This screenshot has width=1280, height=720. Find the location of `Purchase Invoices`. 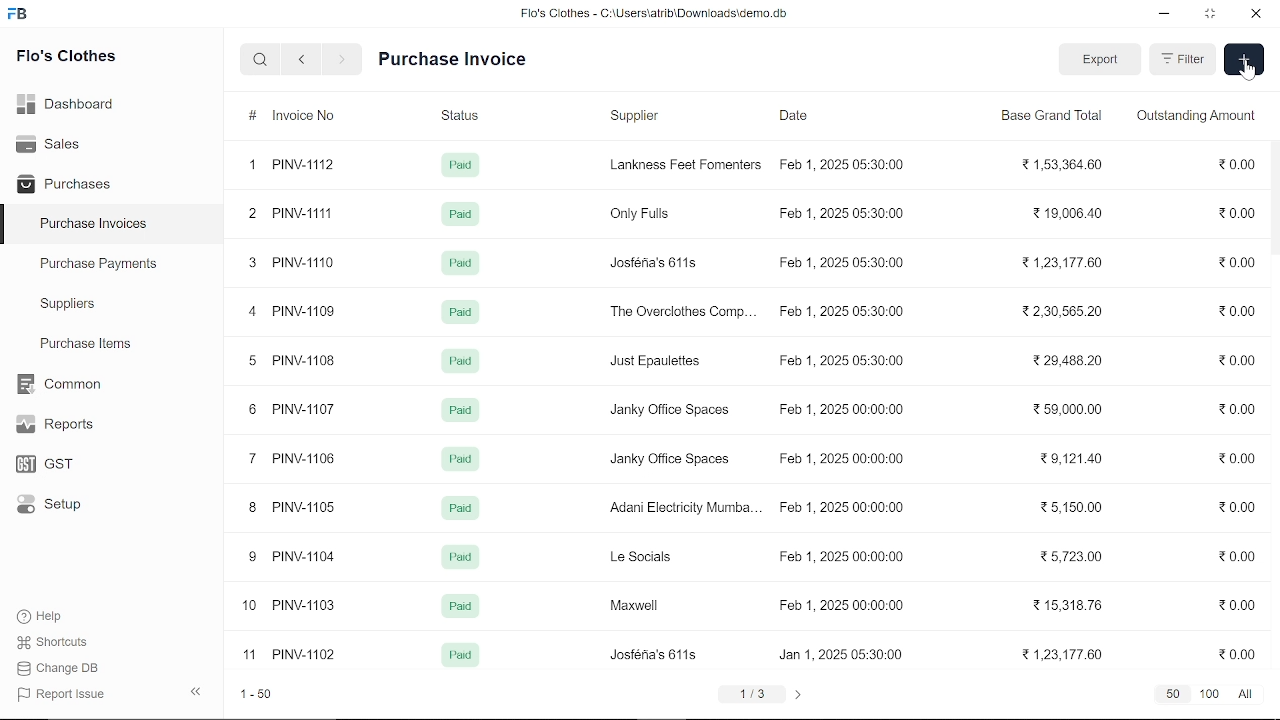

Purchase Invoices is located at coordinates (94, 226).